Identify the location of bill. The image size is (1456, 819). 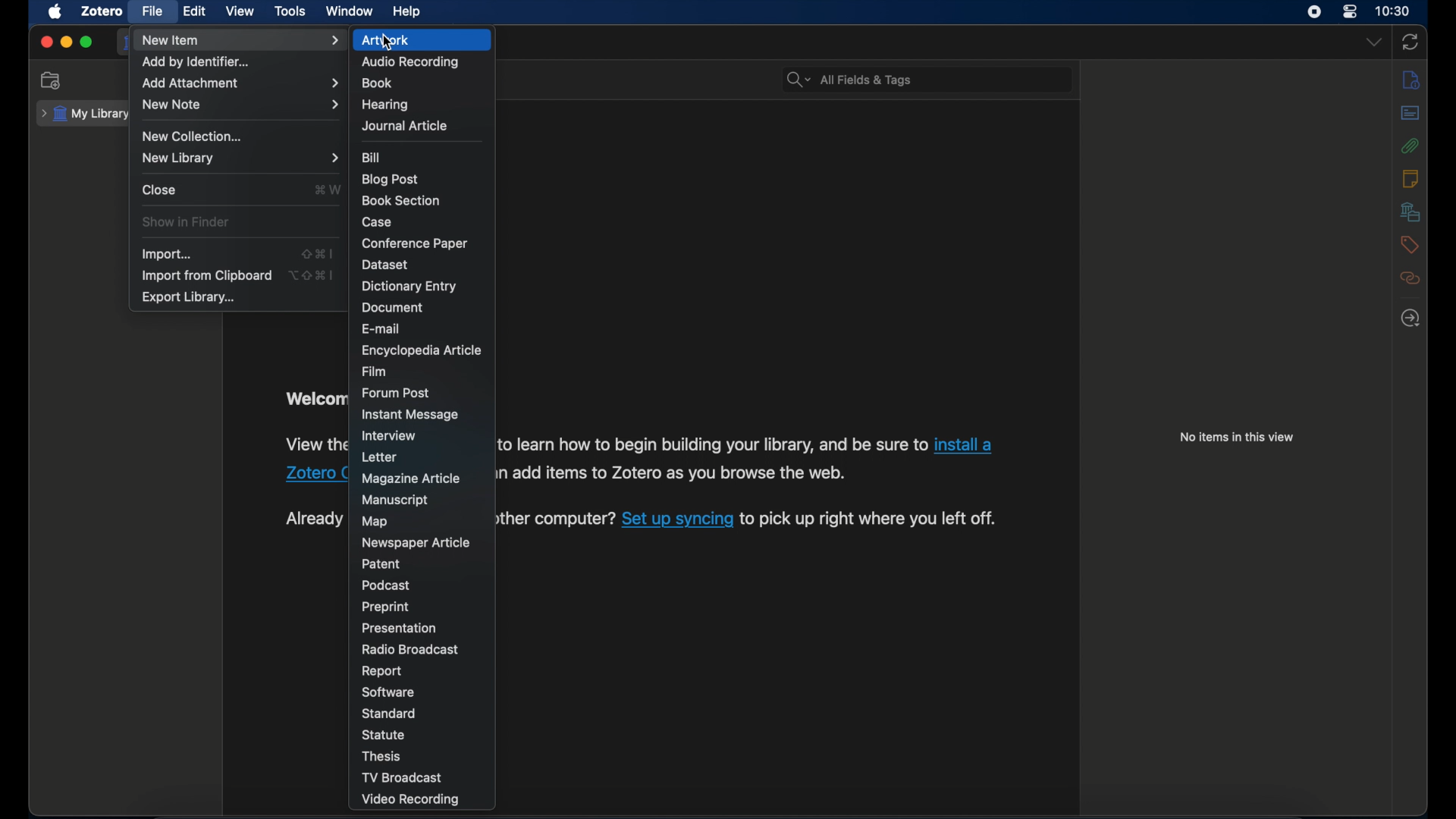
(372, 157).